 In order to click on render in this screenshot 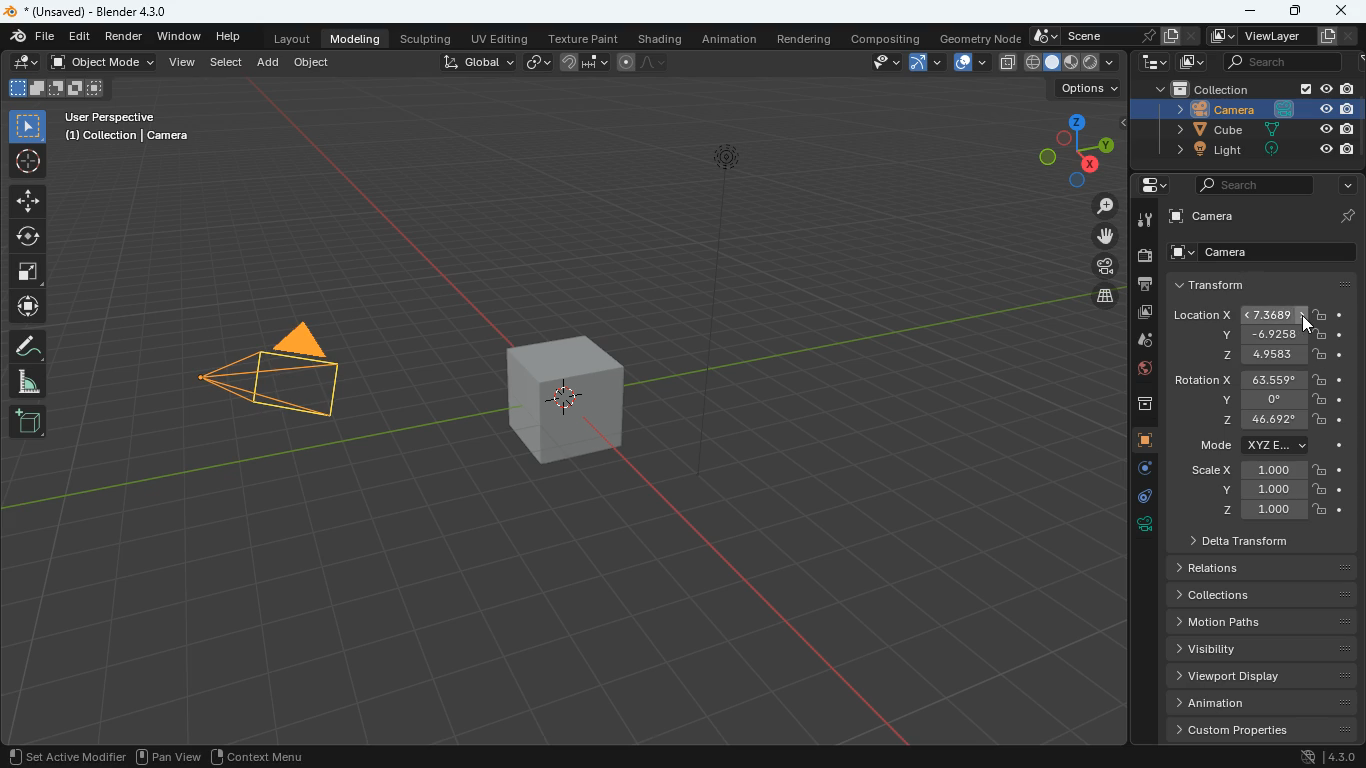, I will do `click(125, 37)`.